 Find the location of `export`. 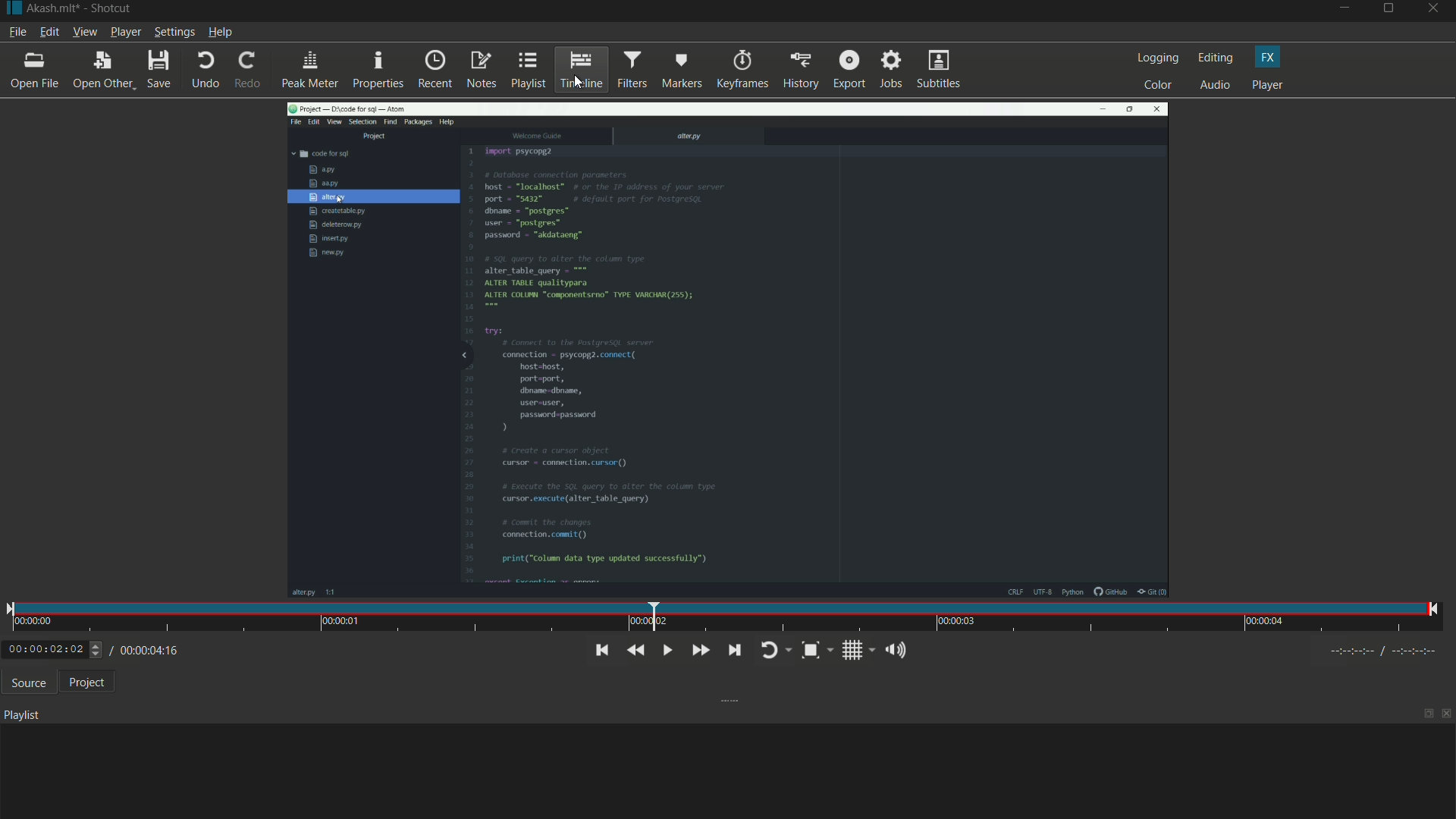

export is located at coordinates (847, 70).